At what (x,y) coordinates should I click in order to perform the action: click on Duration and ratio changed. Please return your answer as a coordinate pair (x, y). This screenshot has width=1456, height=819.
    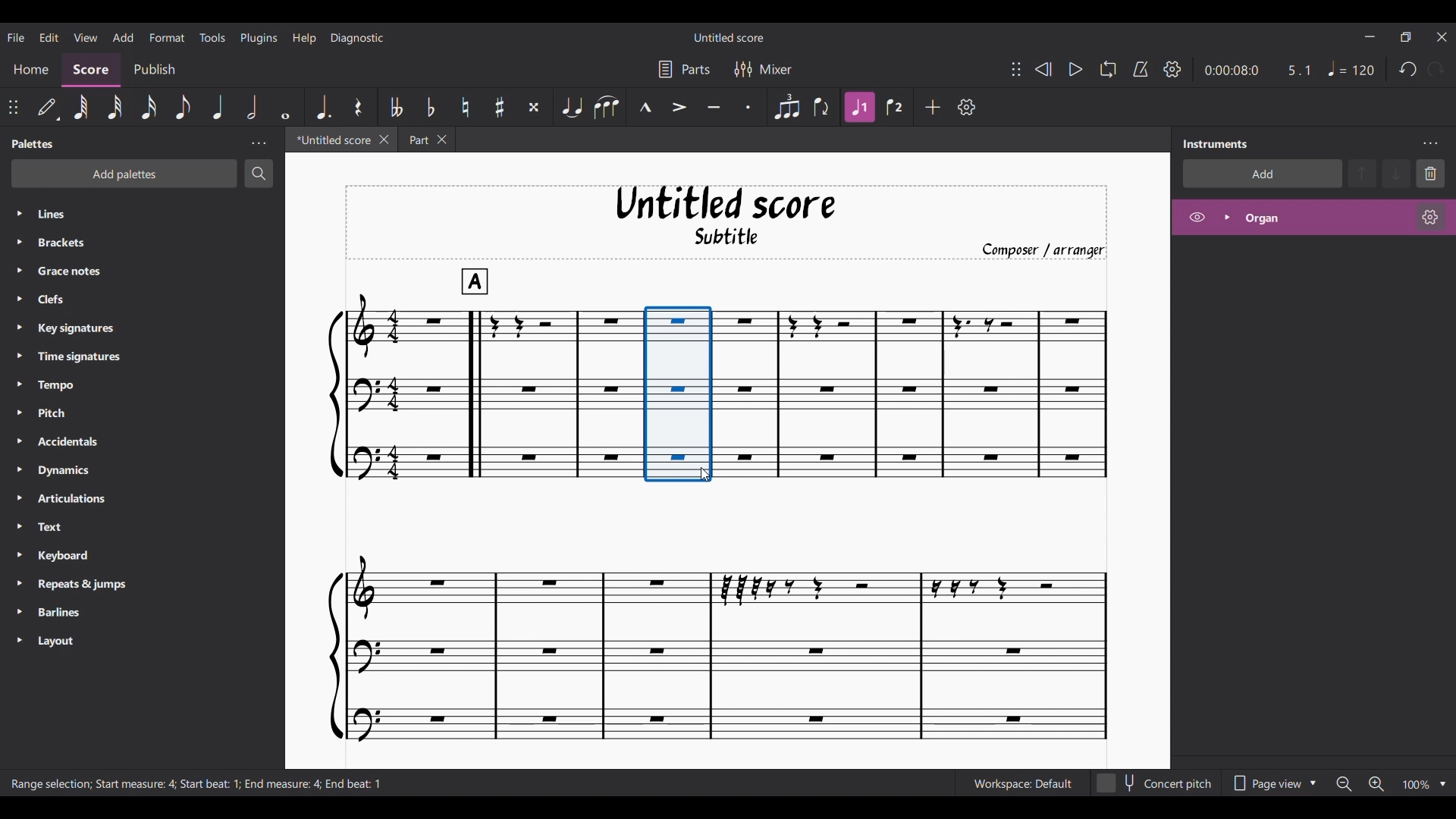
    Looking at the image, I should click on (1258, 70).